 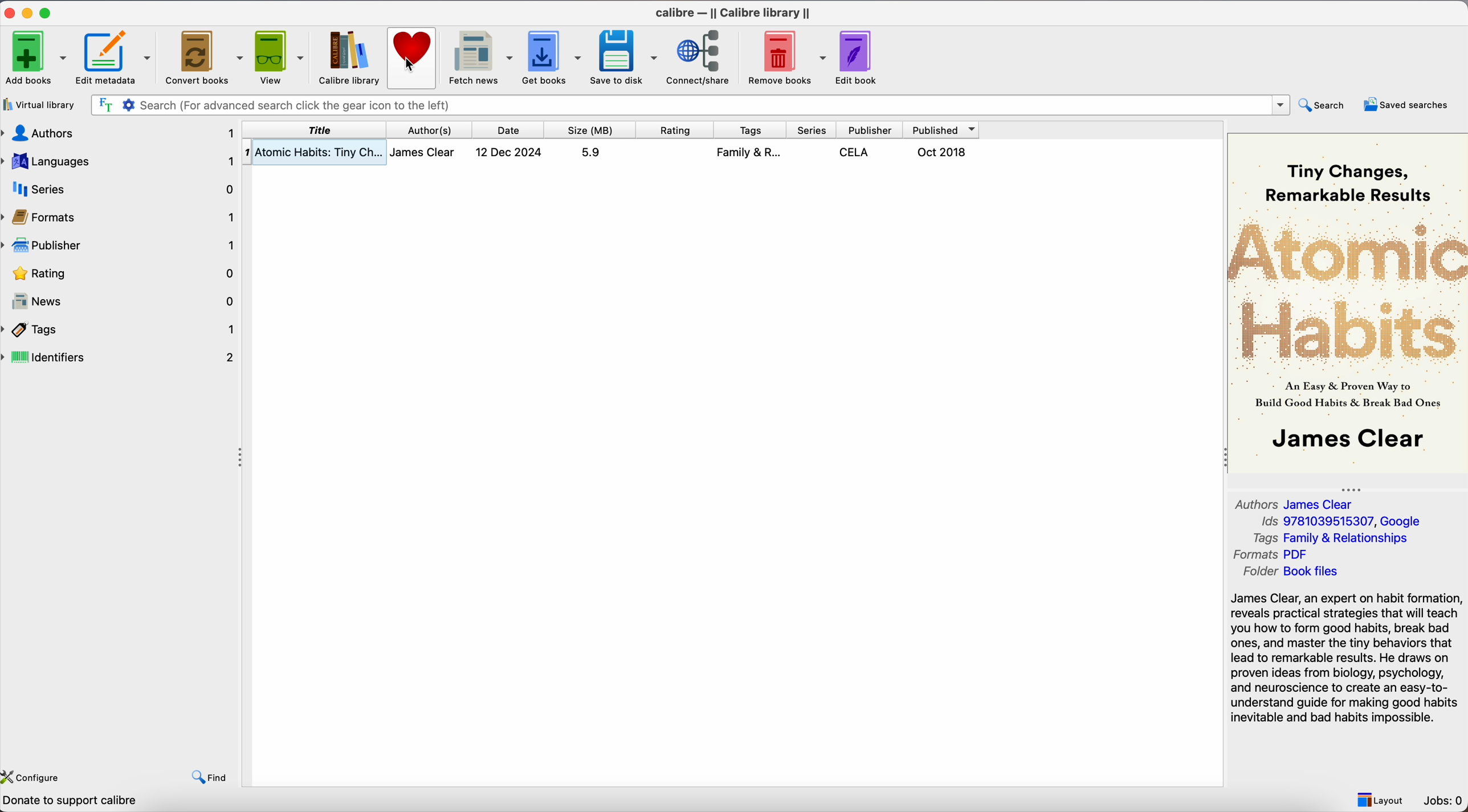 I want to click on formats PDF, so click(x=1271, y=556).